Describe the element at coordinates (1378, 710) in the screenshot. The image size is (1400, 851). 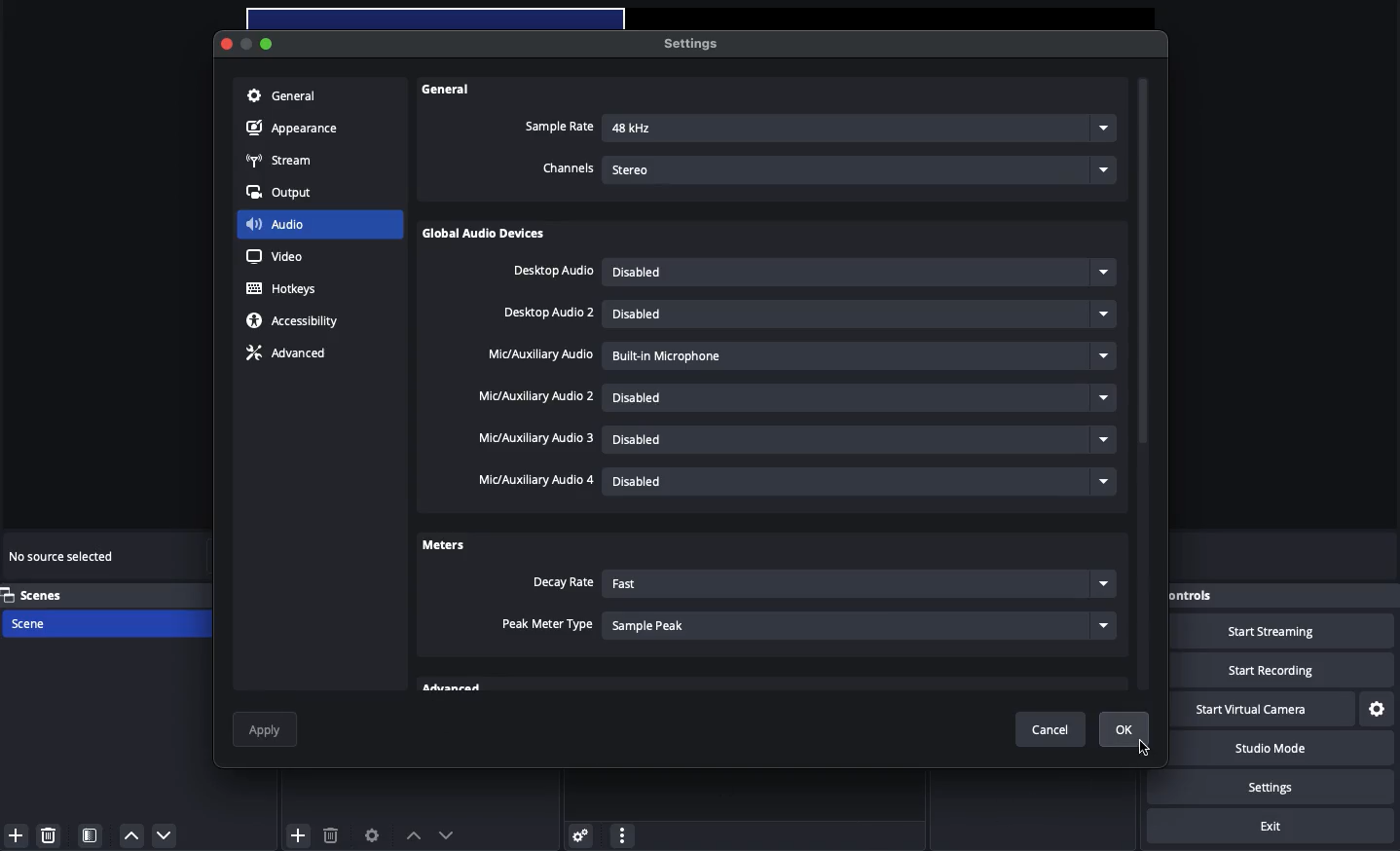
I see `Settings` at that location.